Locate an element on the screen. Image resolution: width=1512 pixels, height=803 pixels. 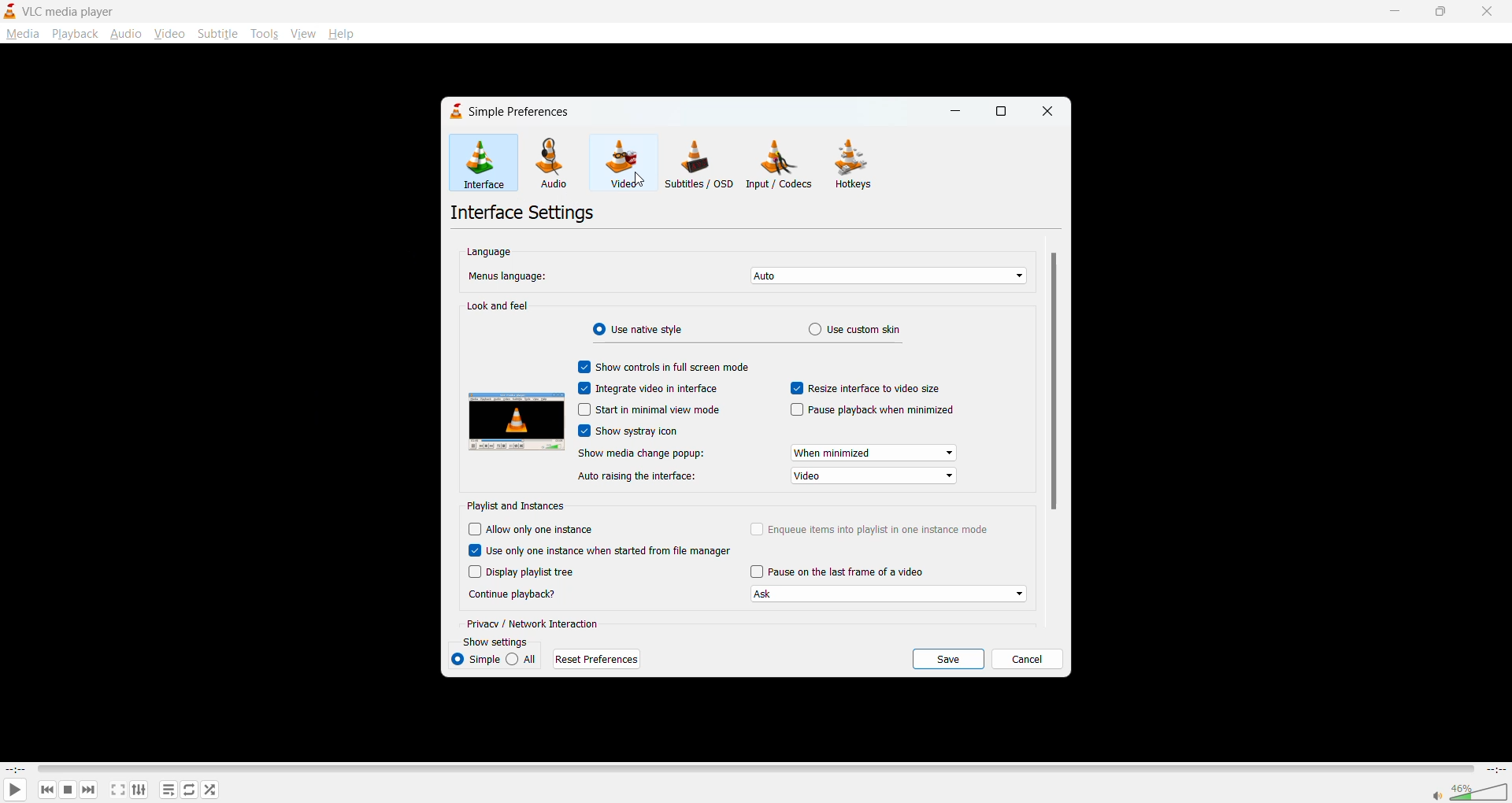
settings is located at coordinates (136, 791).